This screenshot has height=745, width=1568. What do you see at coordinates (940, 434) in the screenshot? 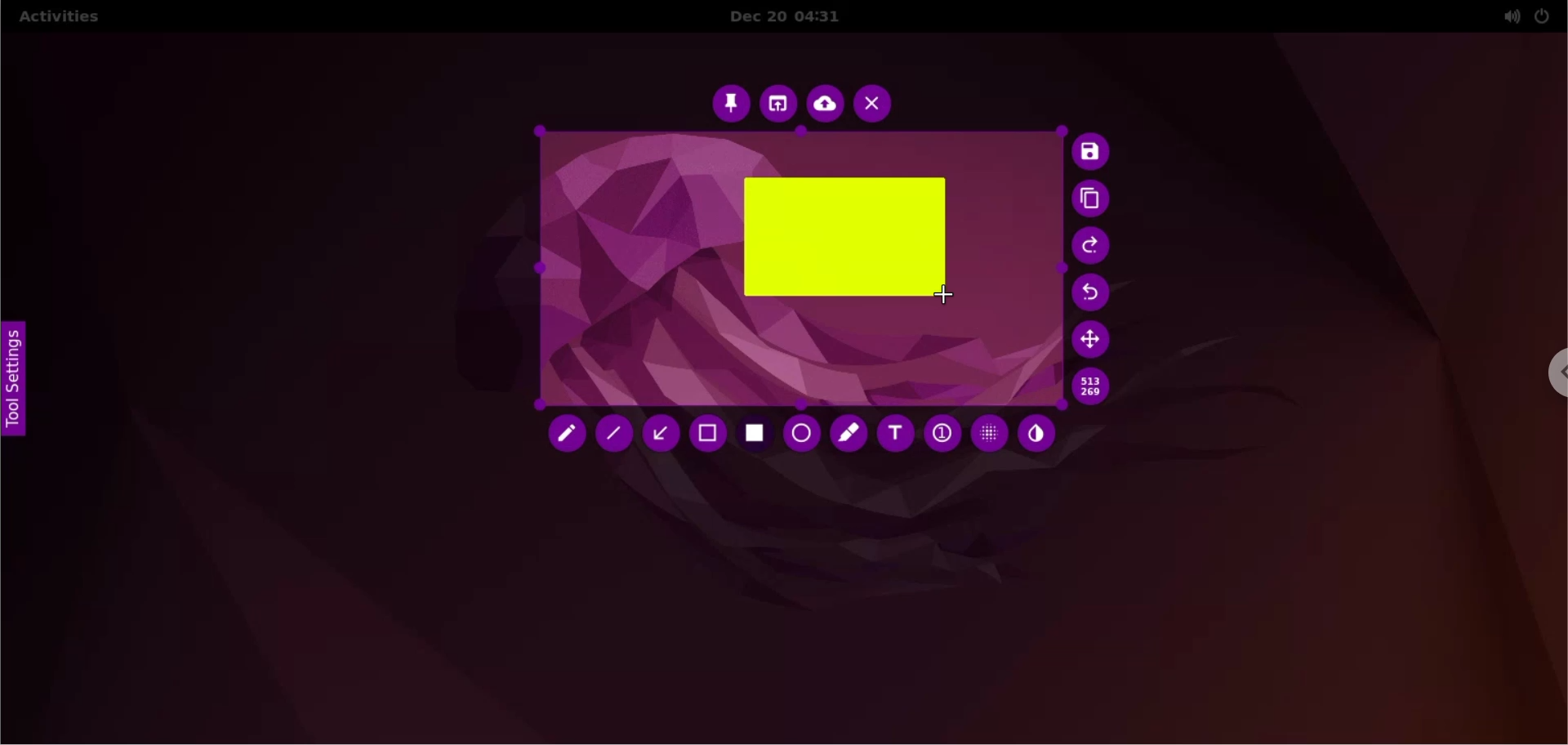
I see `auto increment` at bounding box center [940, 434].